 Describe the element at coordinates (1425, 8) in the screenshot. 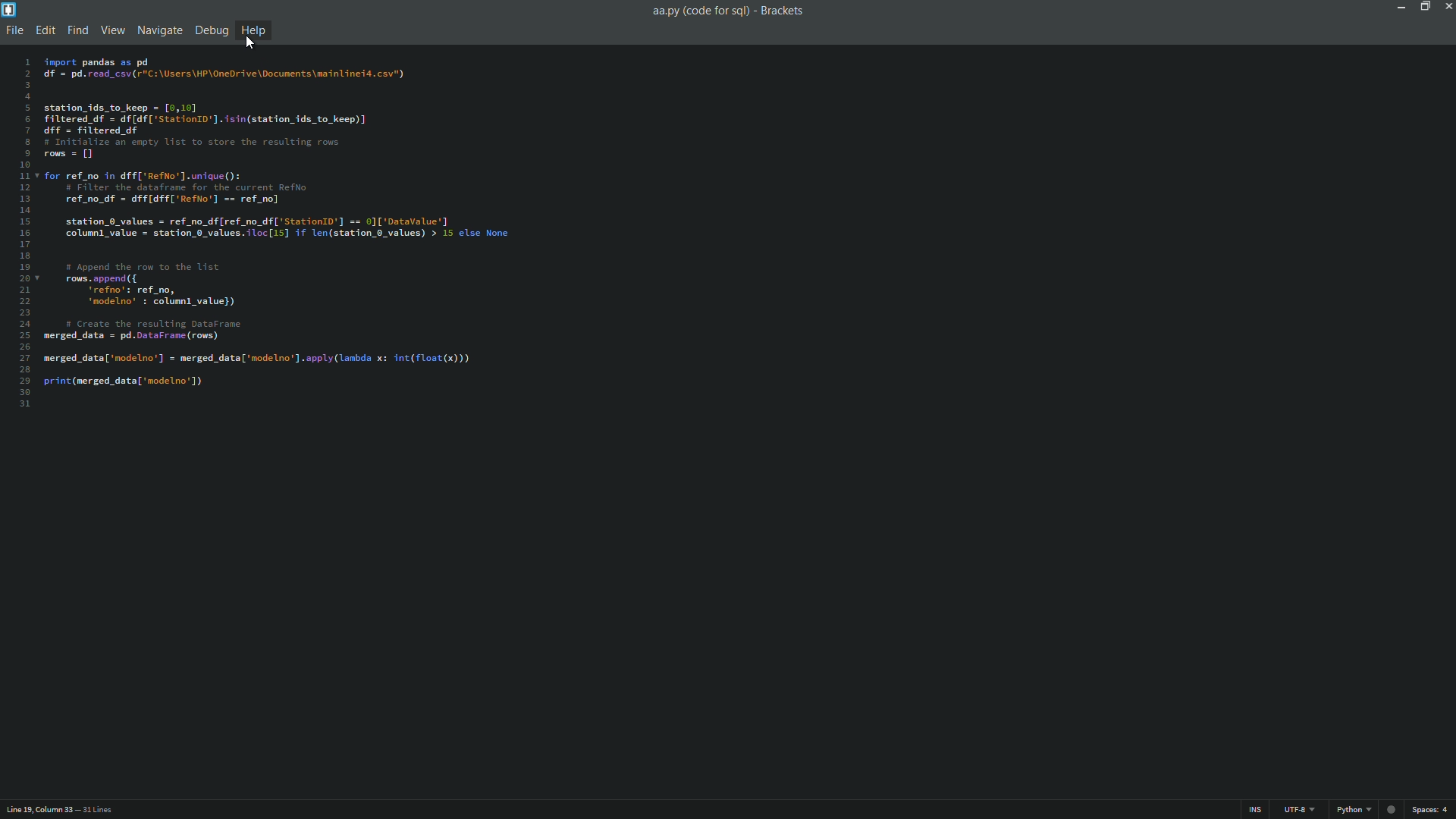

I see `maximize` at that location.